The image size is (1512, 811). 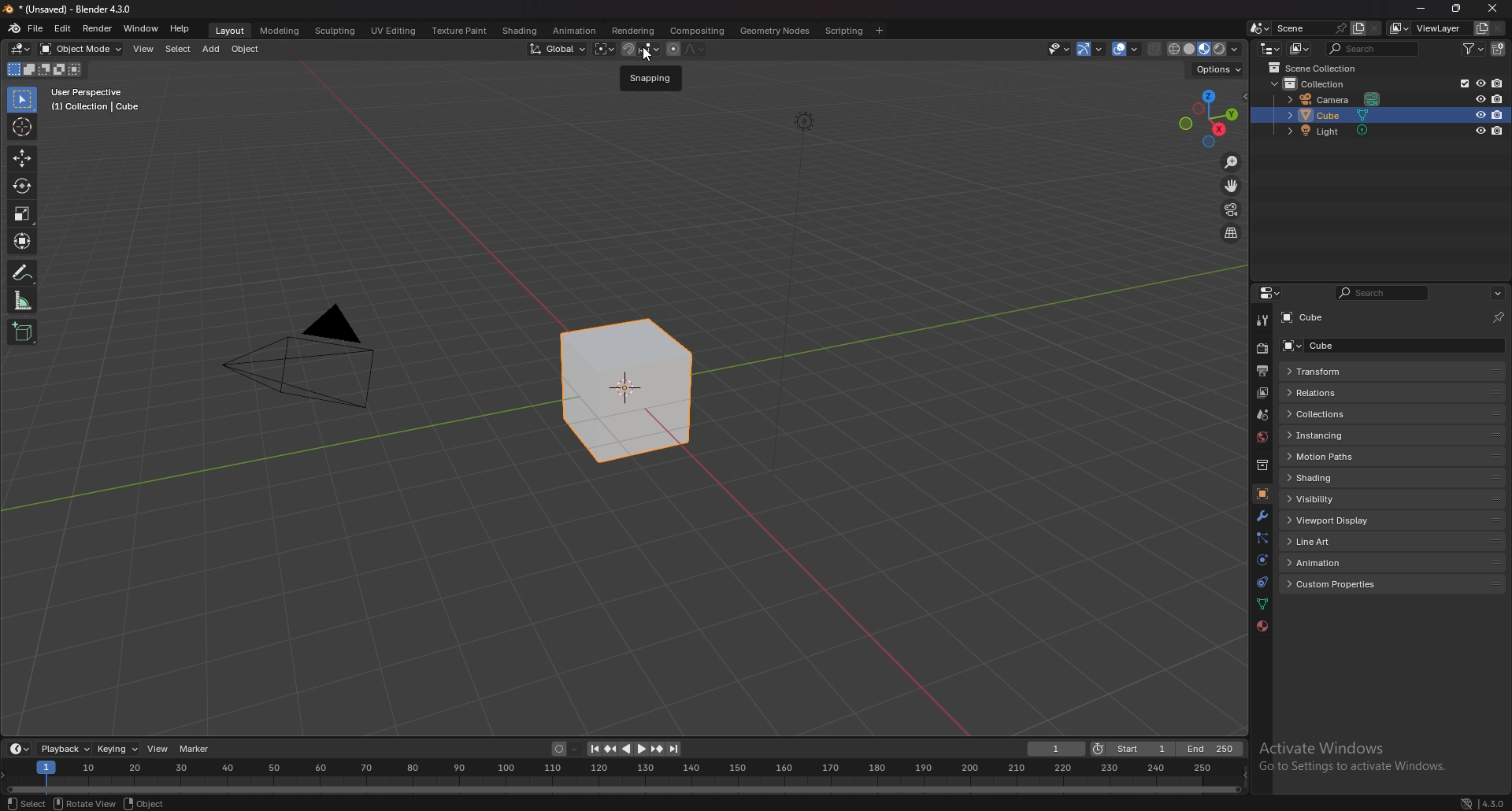 What do you see at coordinates (1058, 749) in the screenshot?
I see `current frame` at bounding box center [1058, 749].